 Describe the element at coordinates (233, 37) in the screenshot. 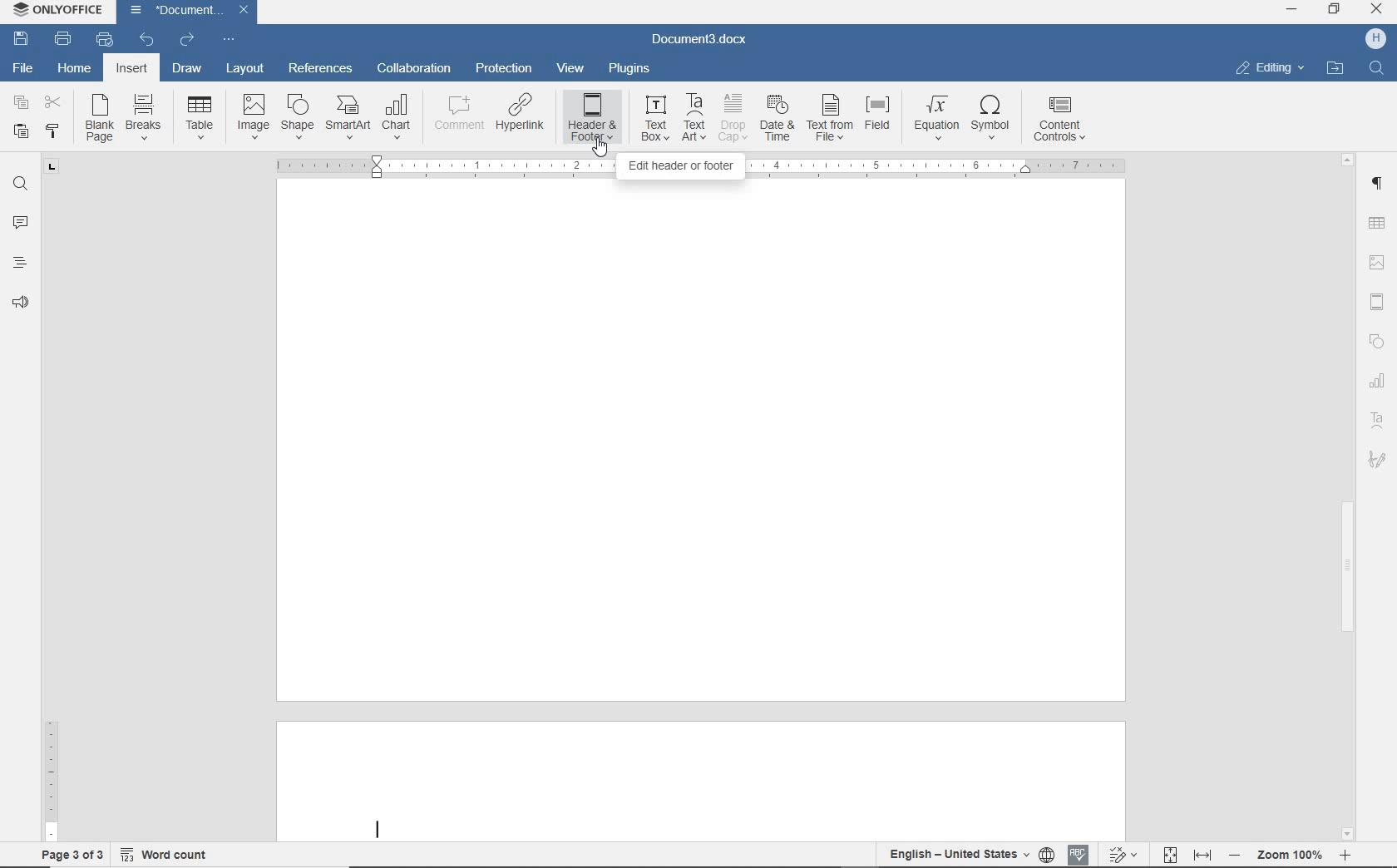

I see `Customize quick access toolbar` at that location.